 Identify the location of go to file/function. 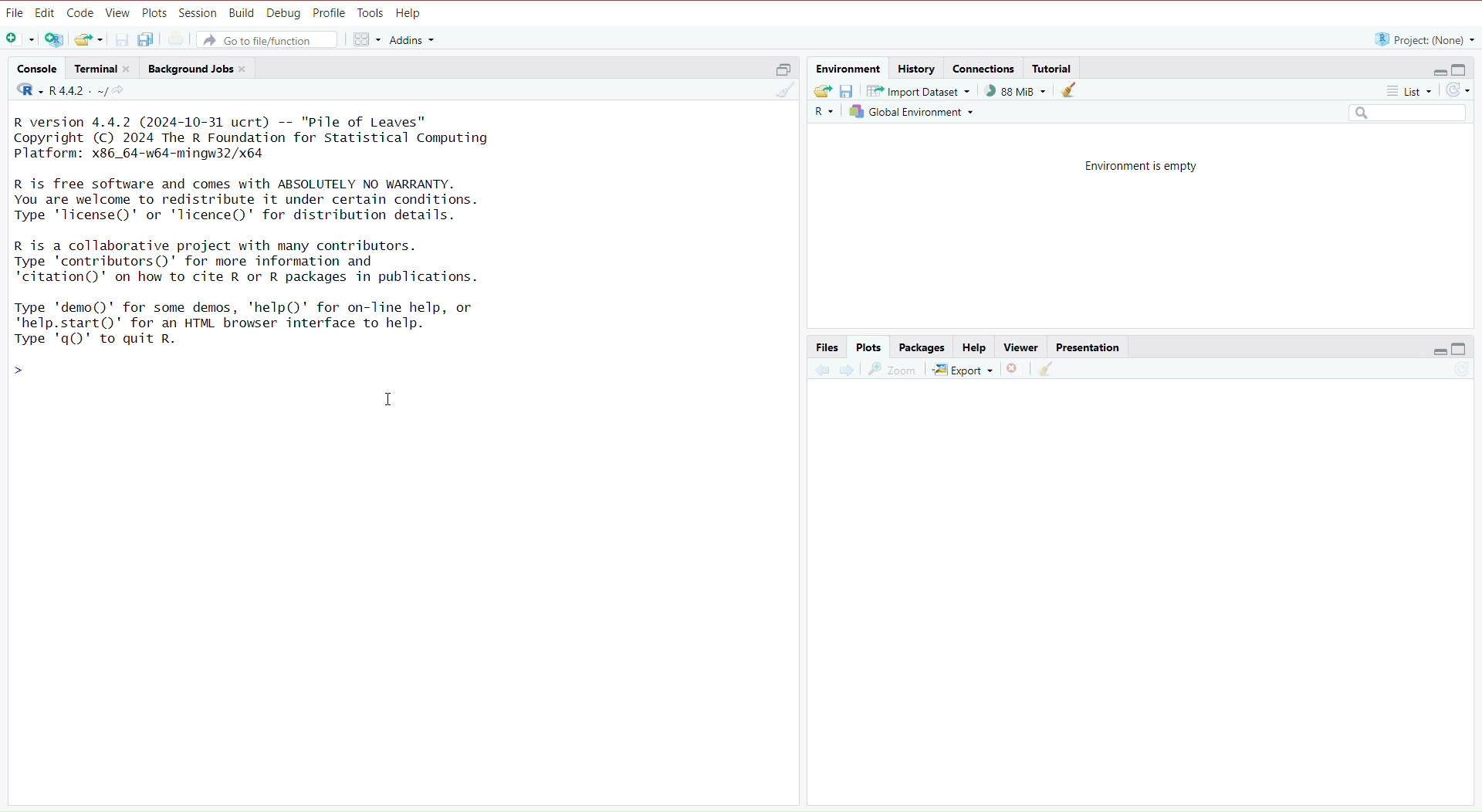
(271, 39).